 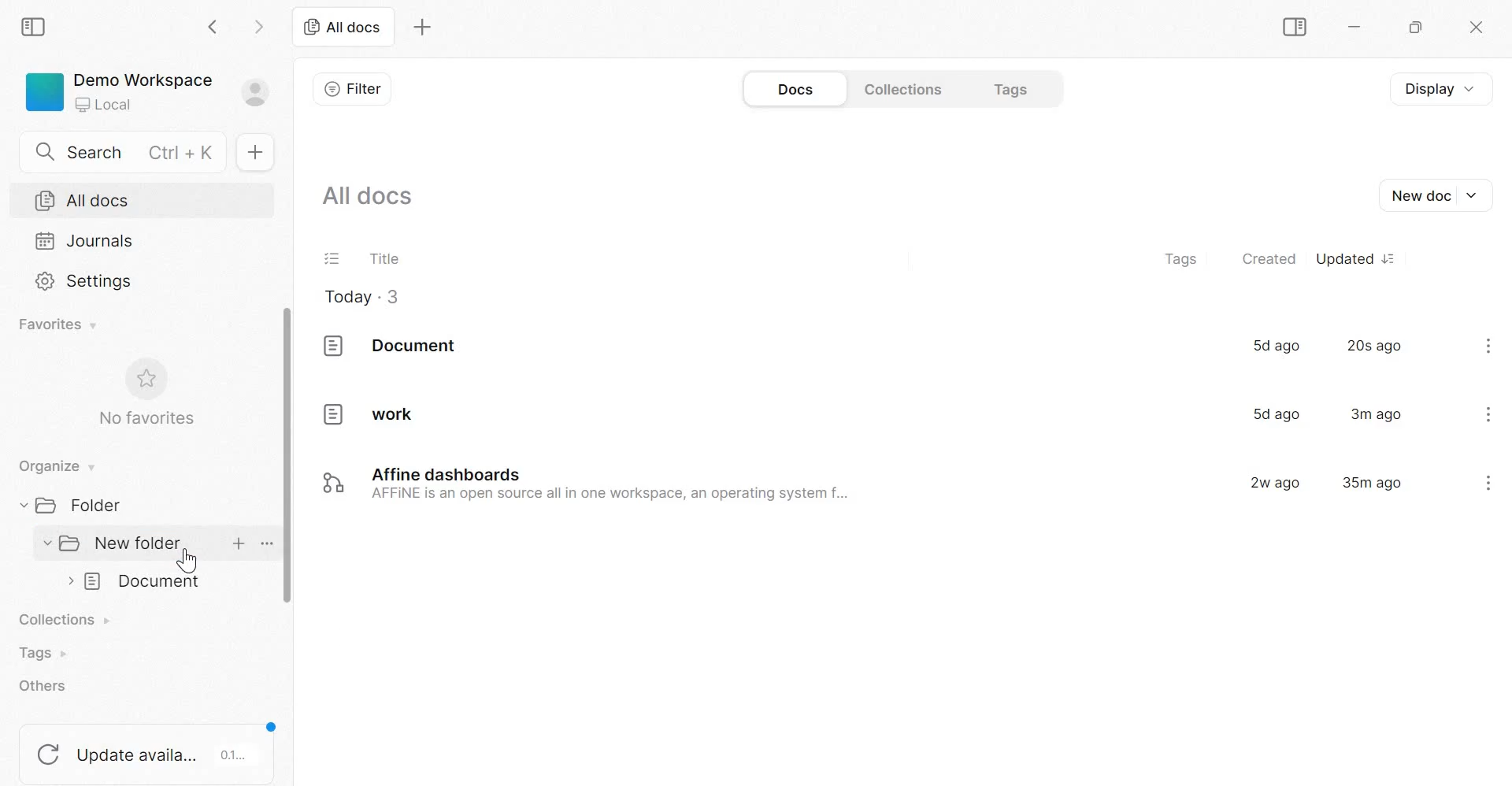 I want to click on Journals, so click(x=86, y=240).